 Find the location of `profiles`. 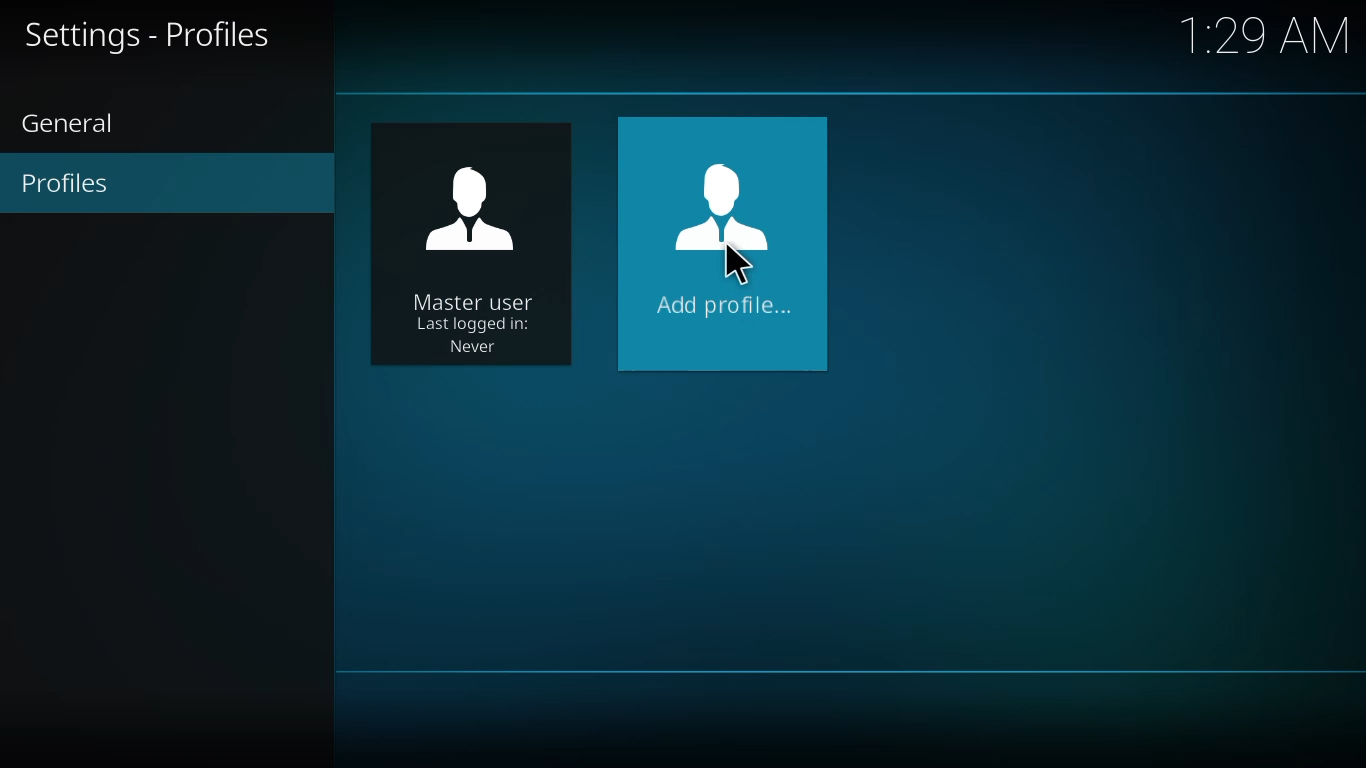

profiles is located at coordinates (69, 183).